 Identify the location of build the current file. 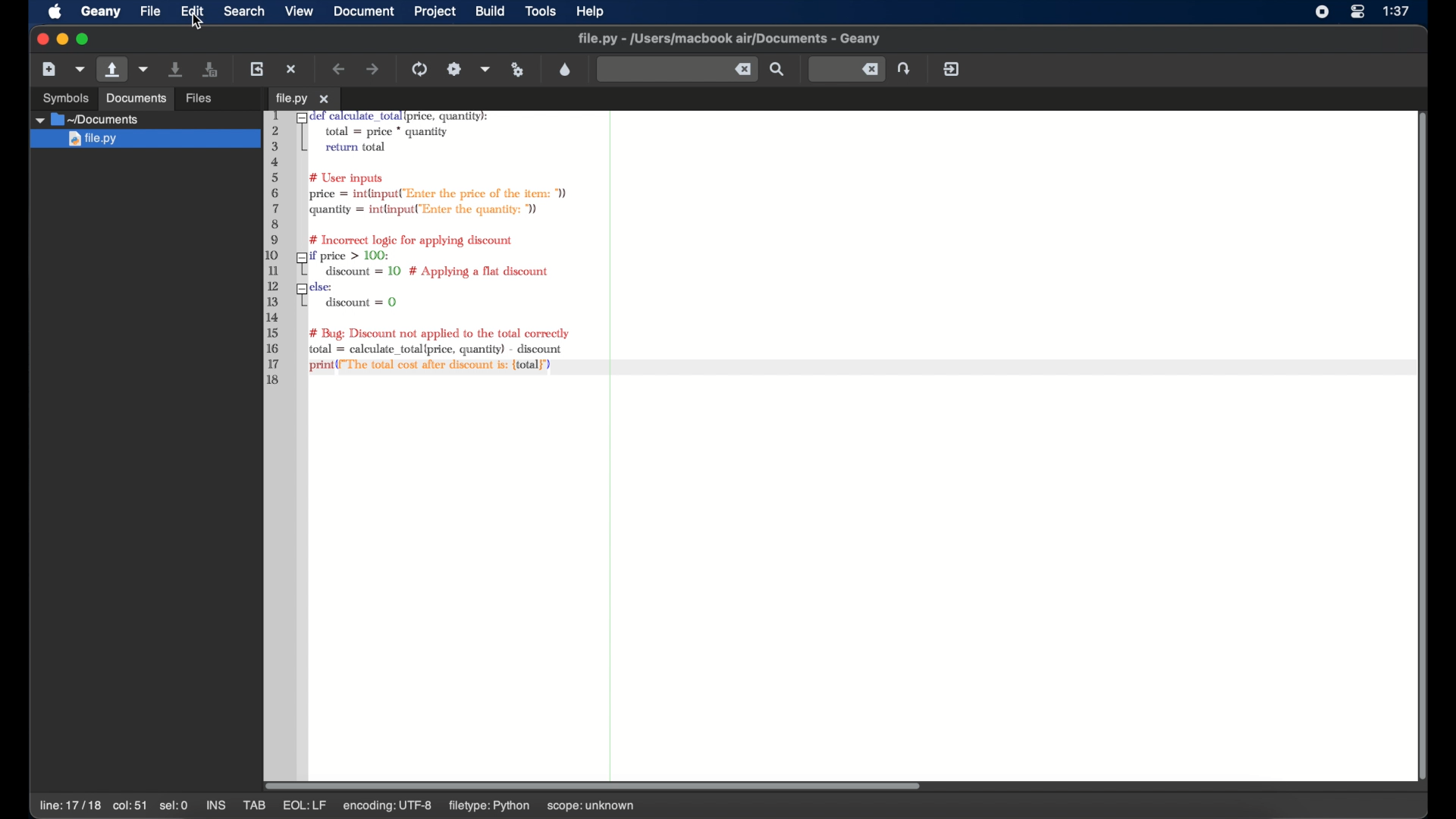
(455, 68).